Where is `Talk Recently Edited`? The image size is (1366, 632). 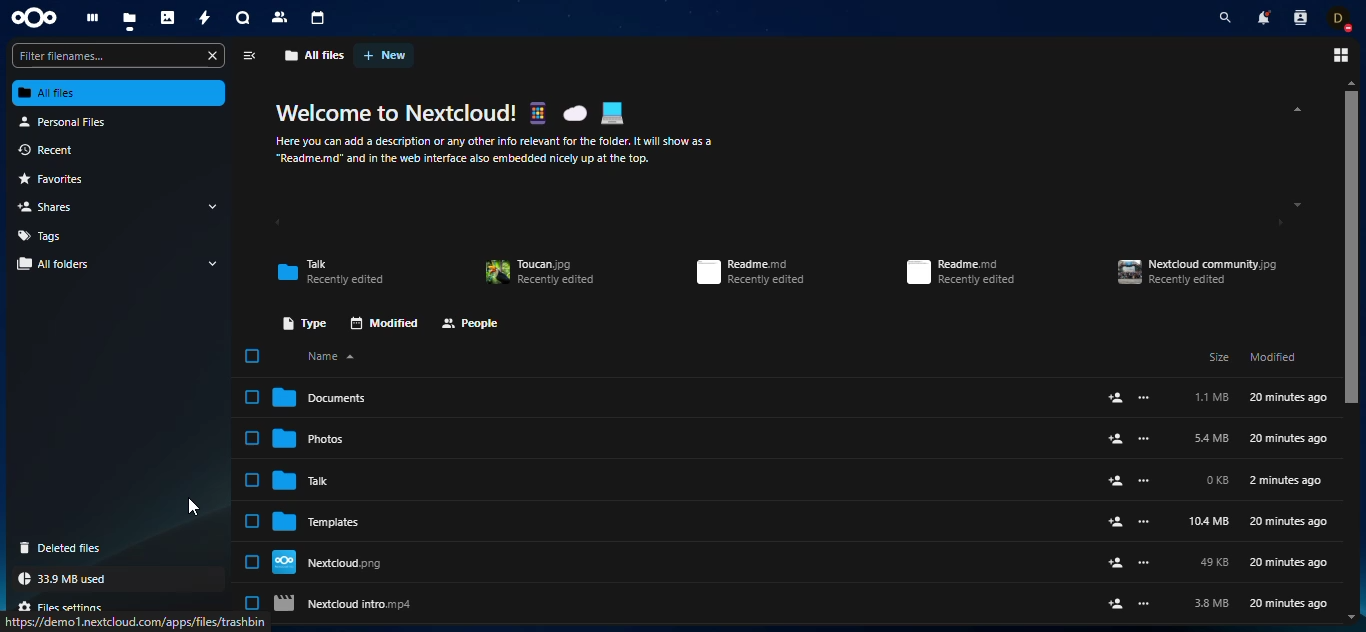
Talk Recently Edited is located at coordinates (331, 269).